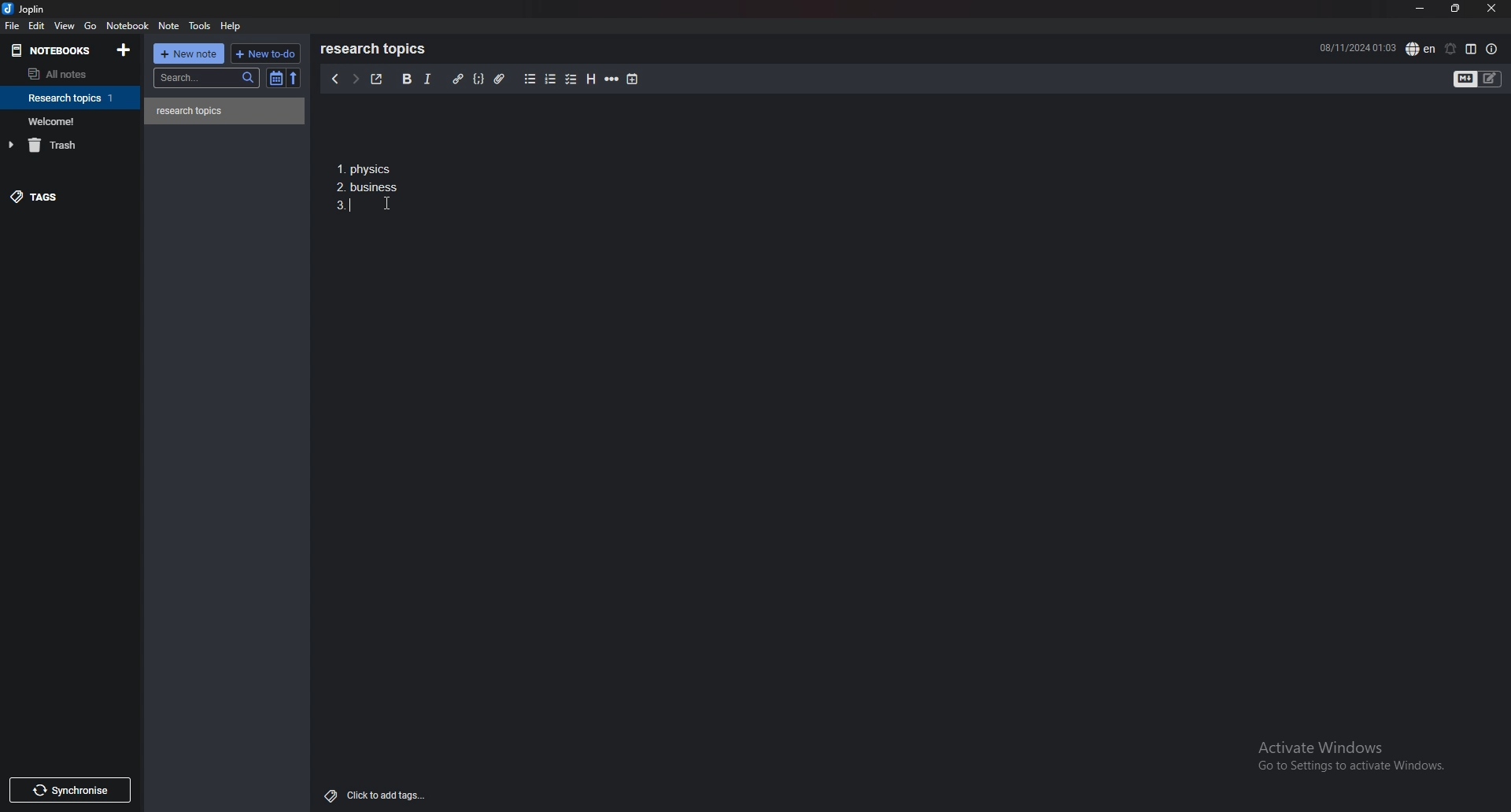  What do you see at coordinates (1357, 47) in the screenshot?
I see `08/11/2024 01:02` at bounding box center [1357, 47].